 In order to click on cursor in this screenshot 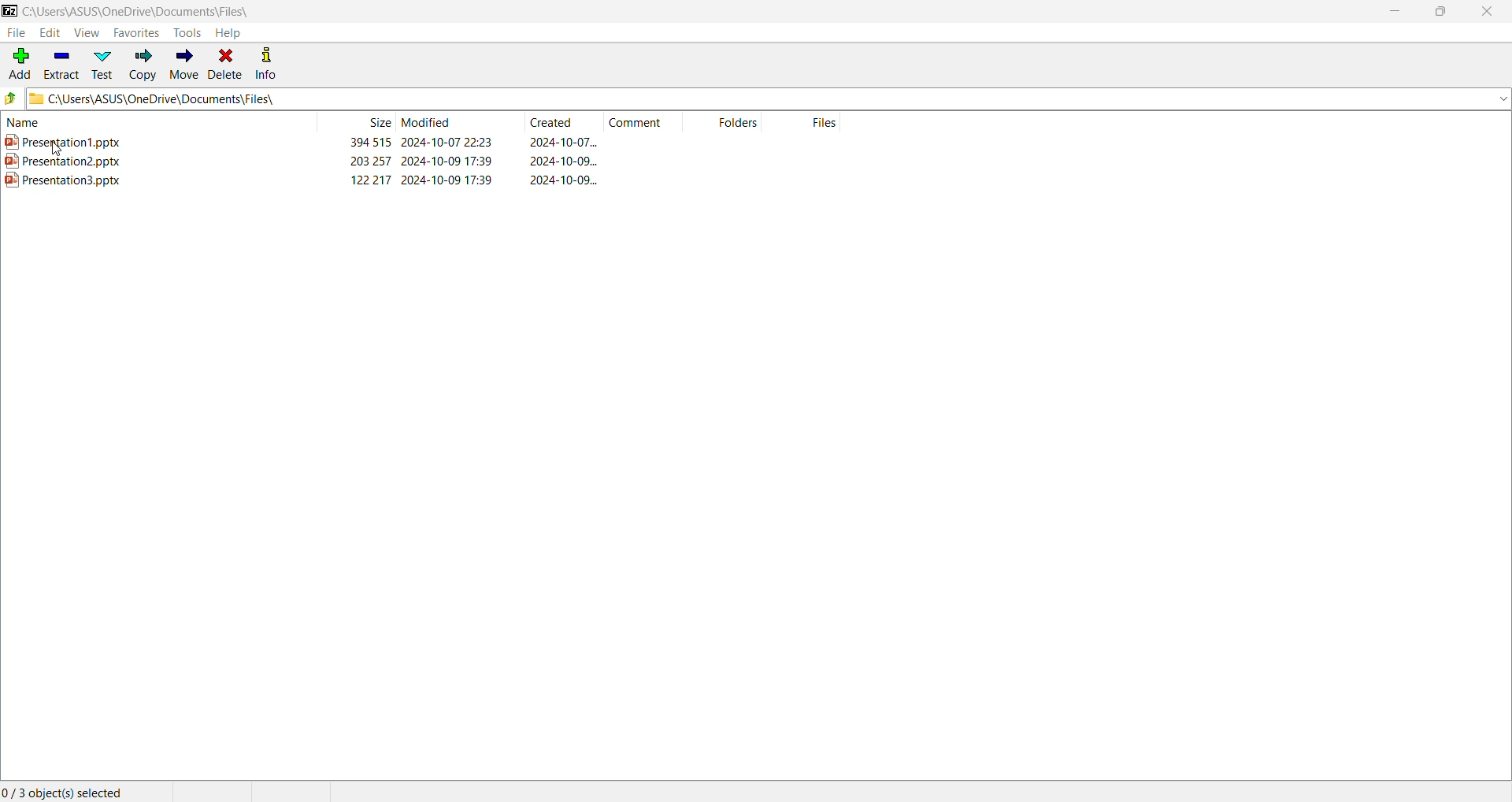, I will do `click(59, 151)`.